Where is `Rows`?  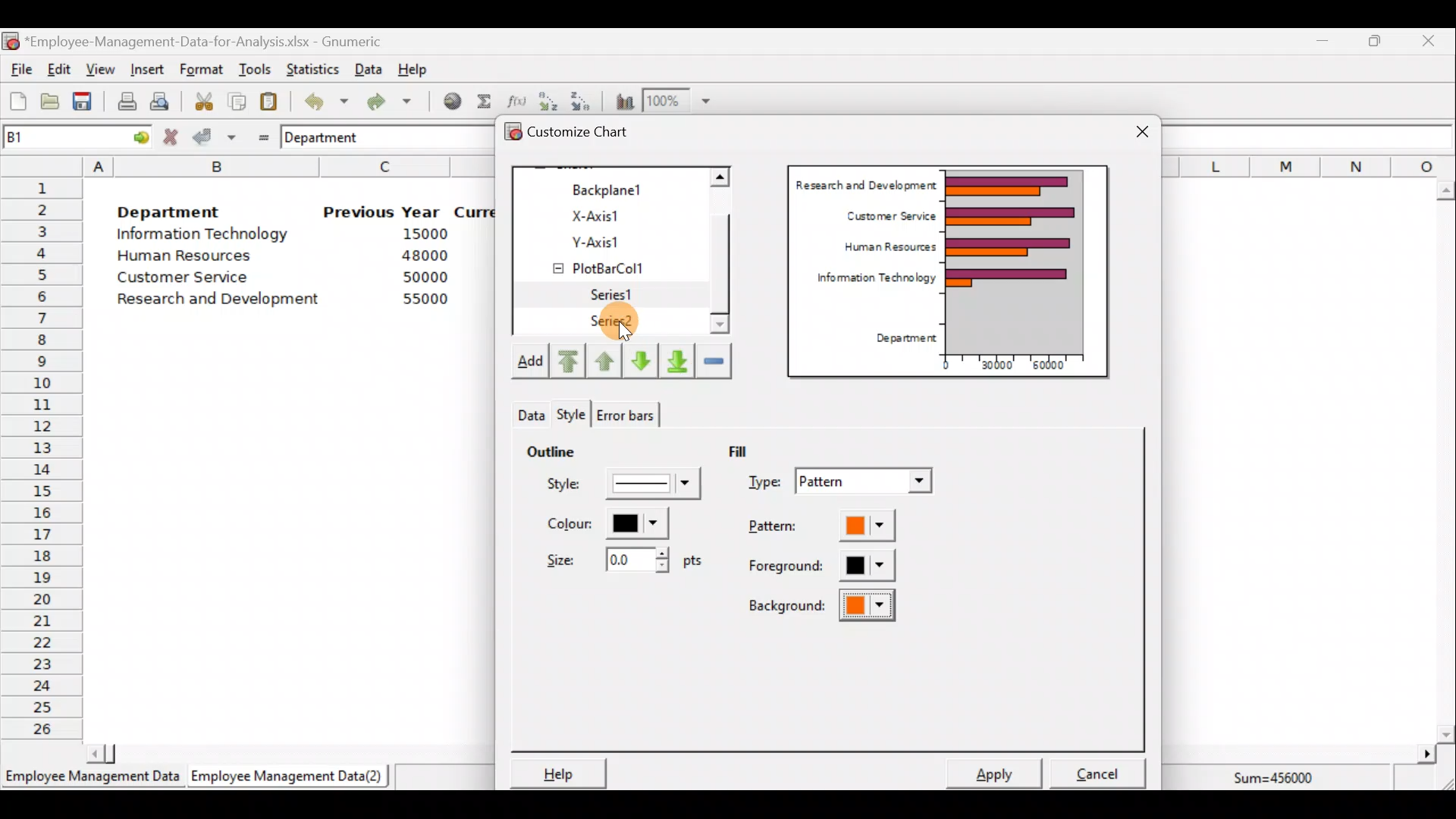
Rows is located at coordinates (42, 456).